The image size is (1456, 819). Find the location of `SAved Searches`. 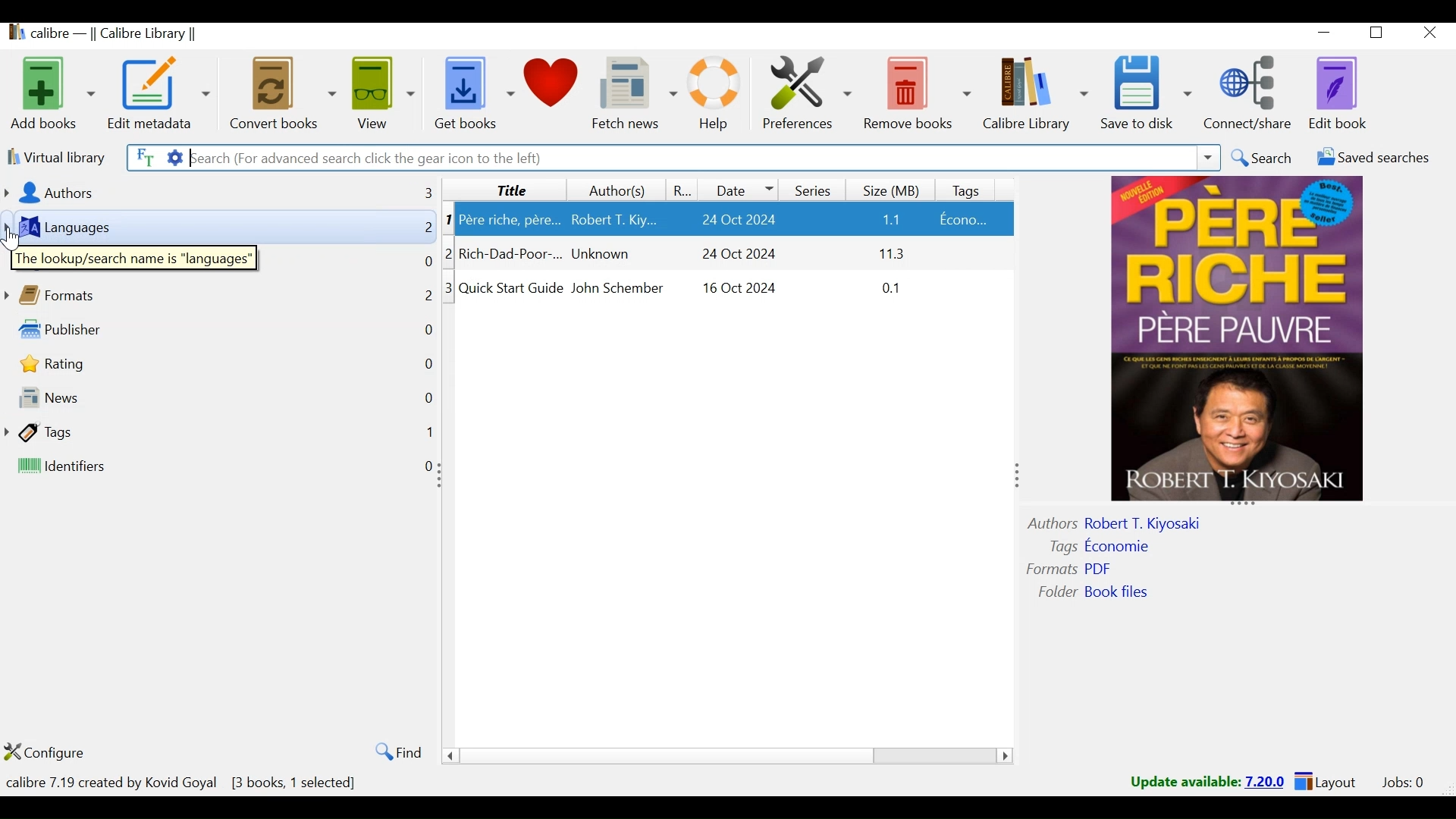

SAved Searches is located at coordinates (1369, 160).